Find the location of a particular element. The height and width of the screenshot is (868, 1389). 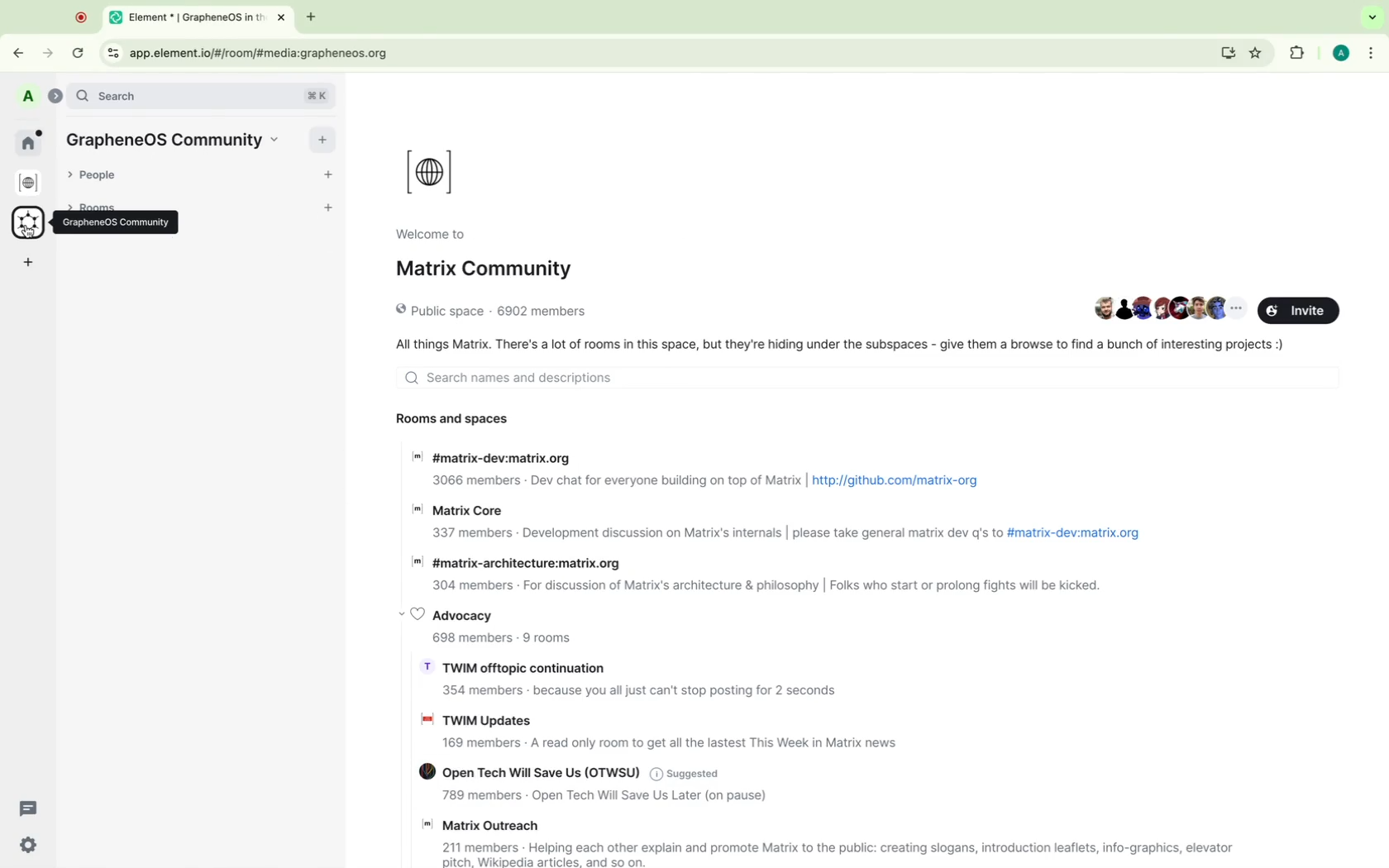

welcome to is located at coordinates (429, 234).